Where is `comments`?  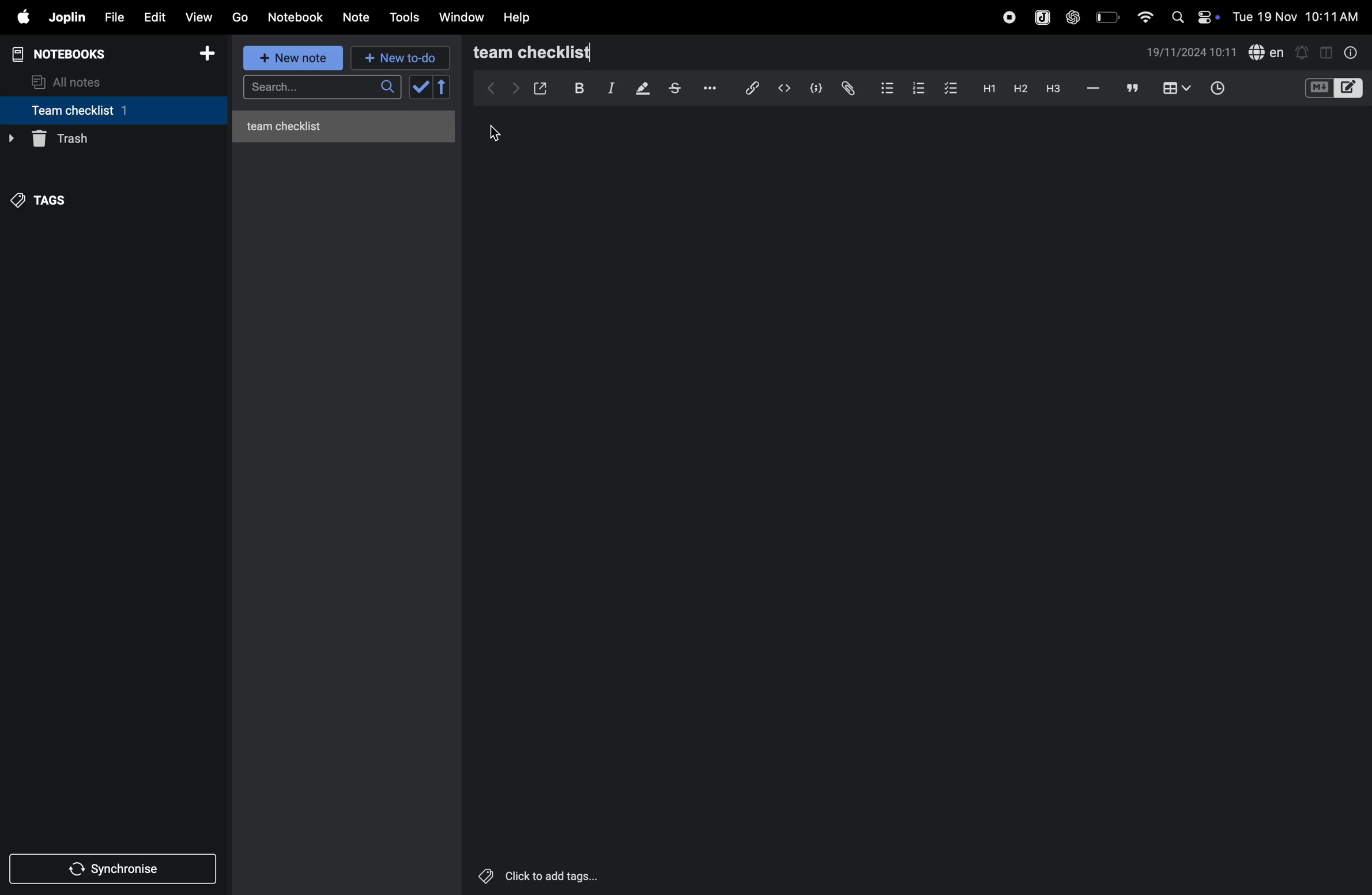
comments is located at coordinates (1130, 89).